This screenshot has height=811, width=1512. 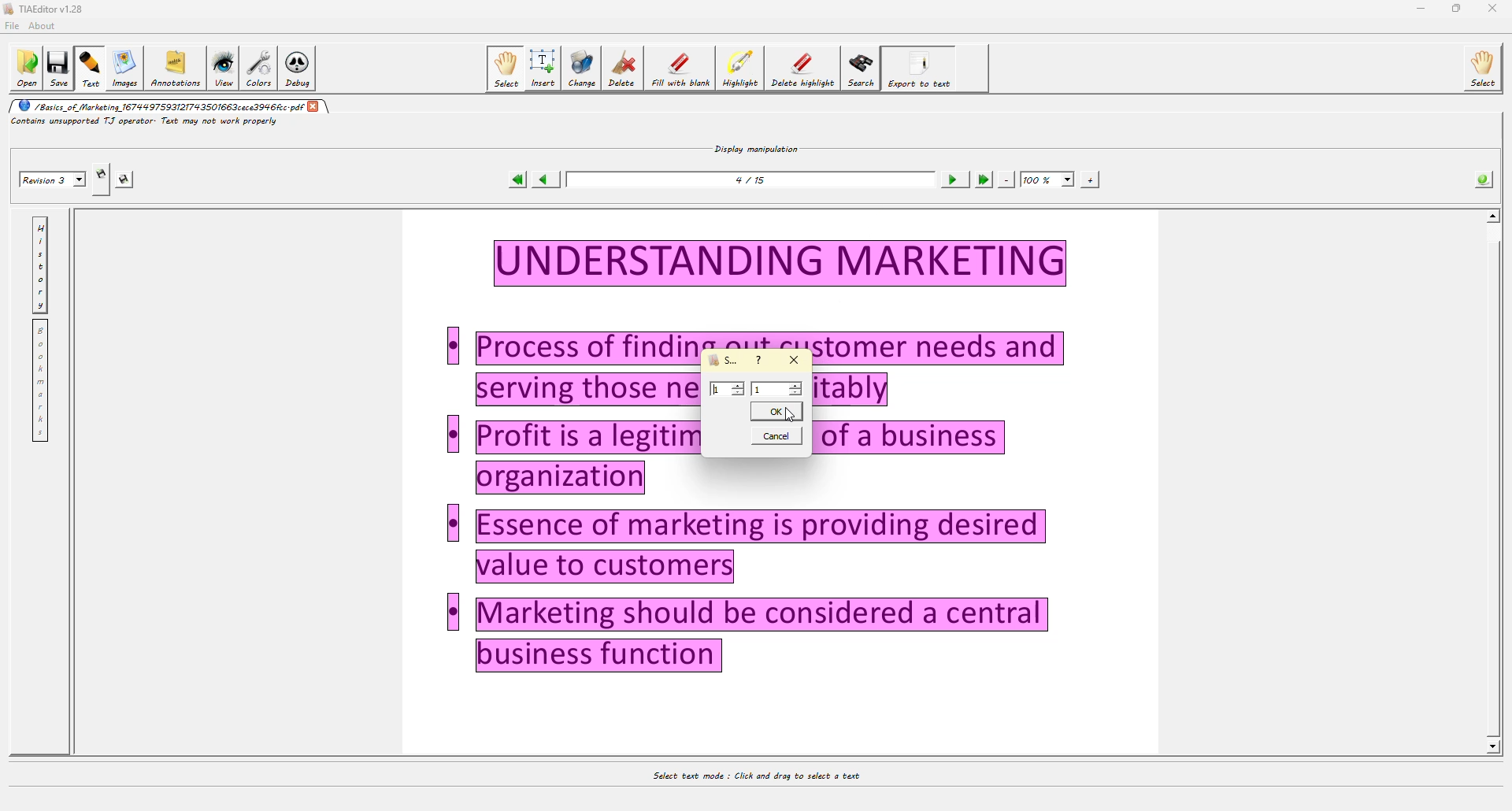 I want to click on about, so click(x=43, y=26).